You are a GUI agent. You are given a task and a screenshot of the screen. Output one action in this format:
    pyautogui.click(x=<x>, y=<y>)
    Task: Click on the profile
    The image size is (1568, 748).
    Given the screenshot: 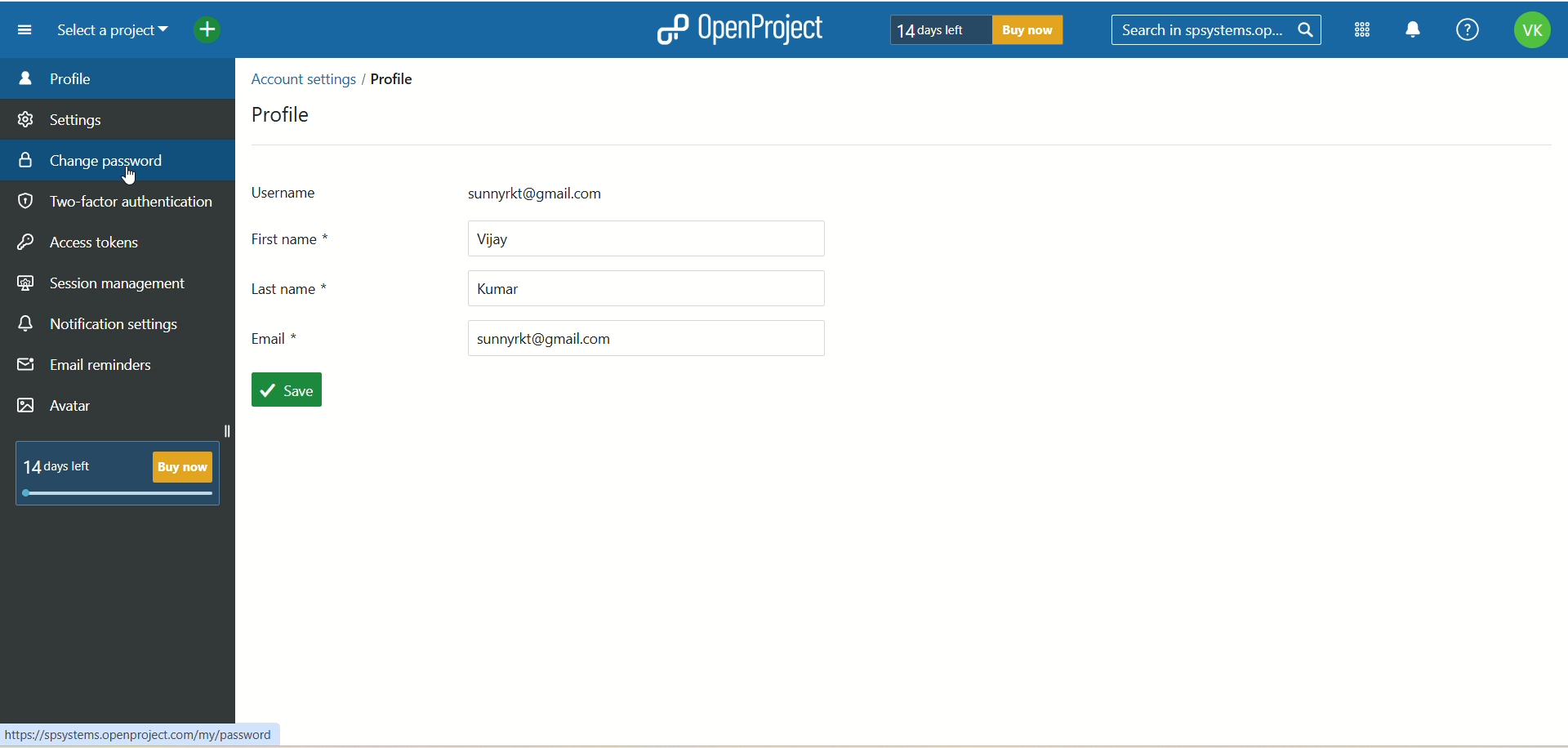 What is the action you would take?
    pyautogui.click(x=393, y=84)
    